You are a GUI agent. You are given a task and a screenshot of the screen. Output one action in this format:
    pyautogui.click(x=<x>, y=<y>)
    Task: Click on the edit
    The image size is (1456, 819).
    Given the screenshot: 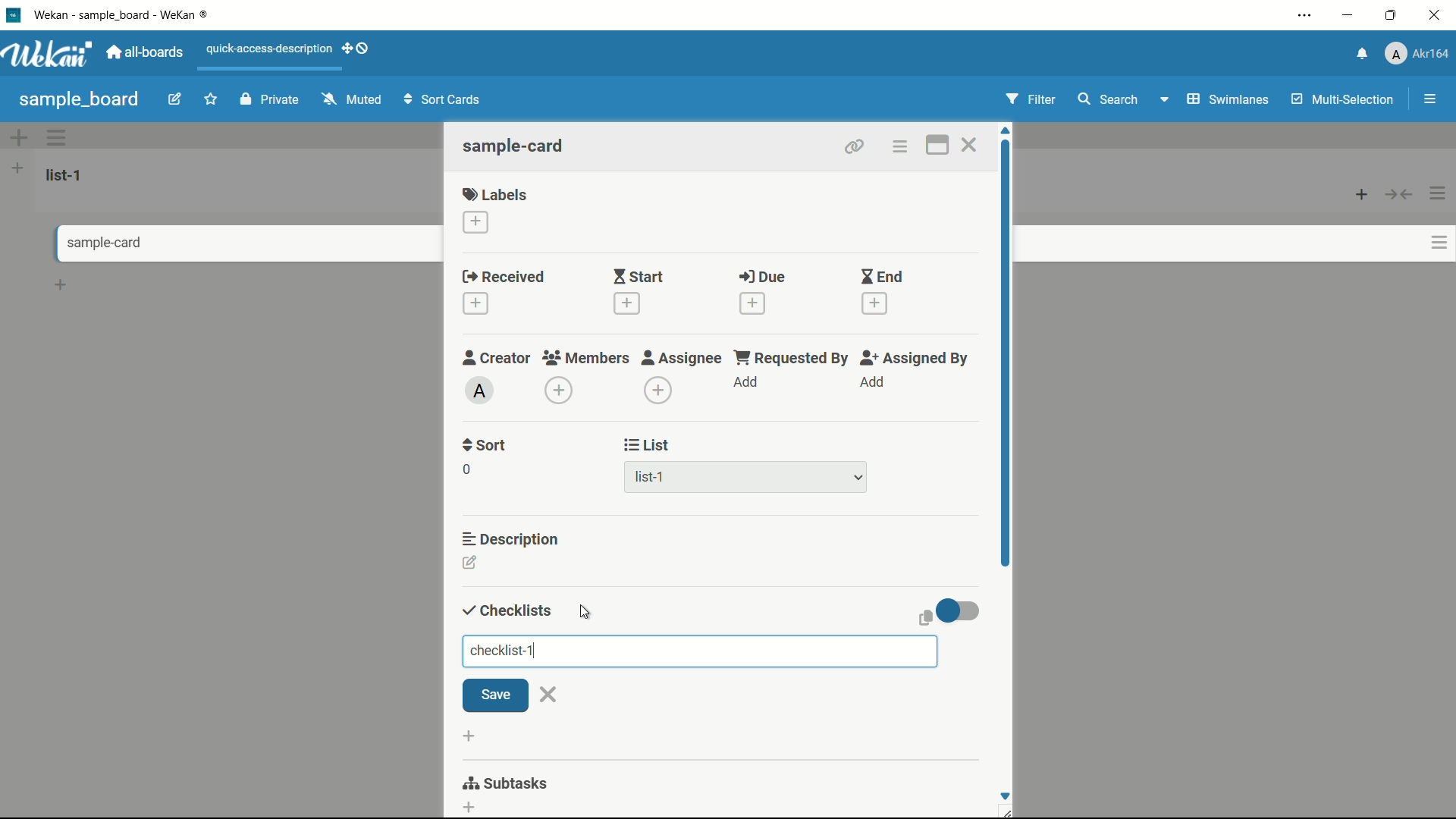 What is the action you would take?
    pyautogui.click(x=175, y=101)
    